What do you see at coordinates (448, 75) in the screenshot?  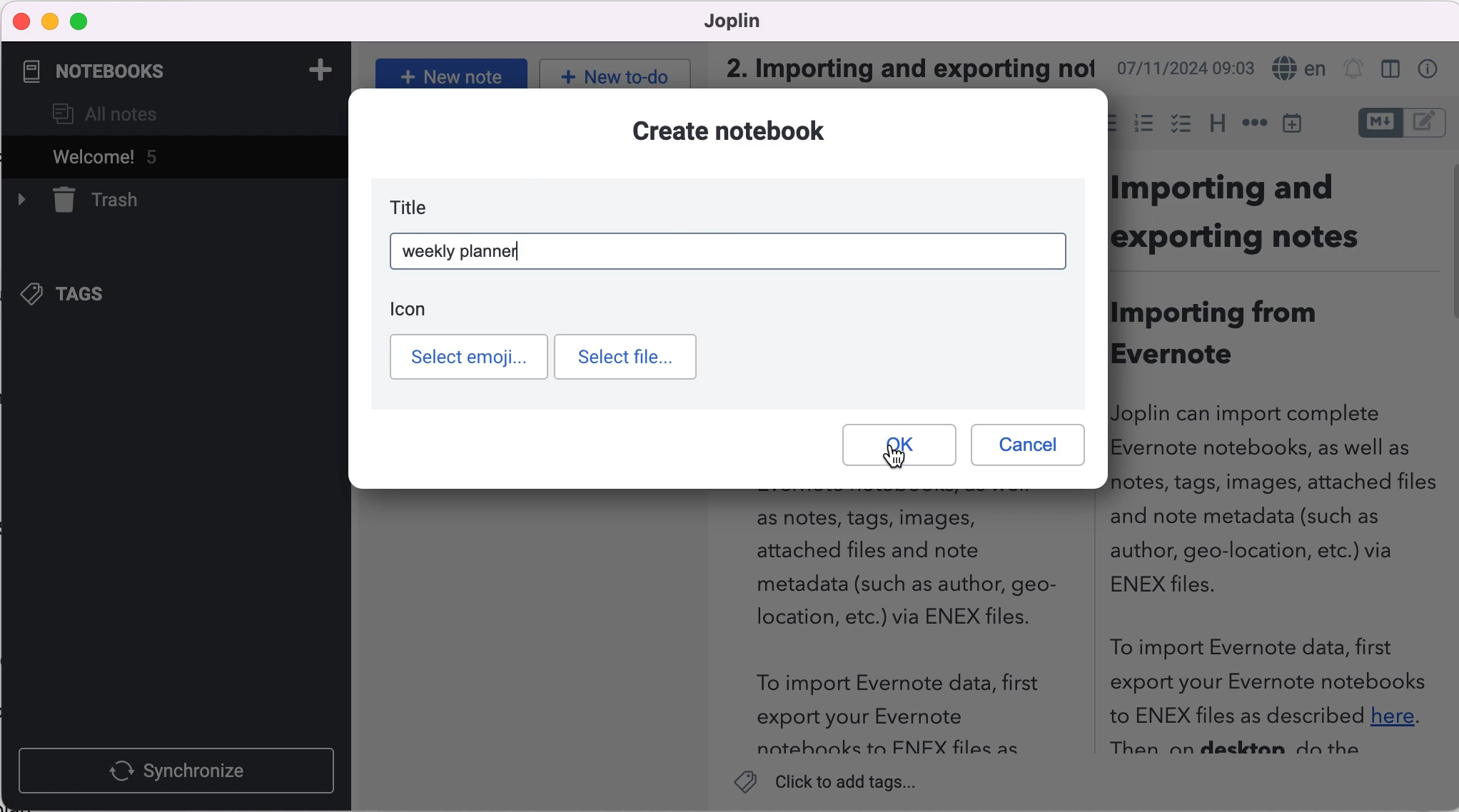 I see `New note` at bounding box center [448, 75].